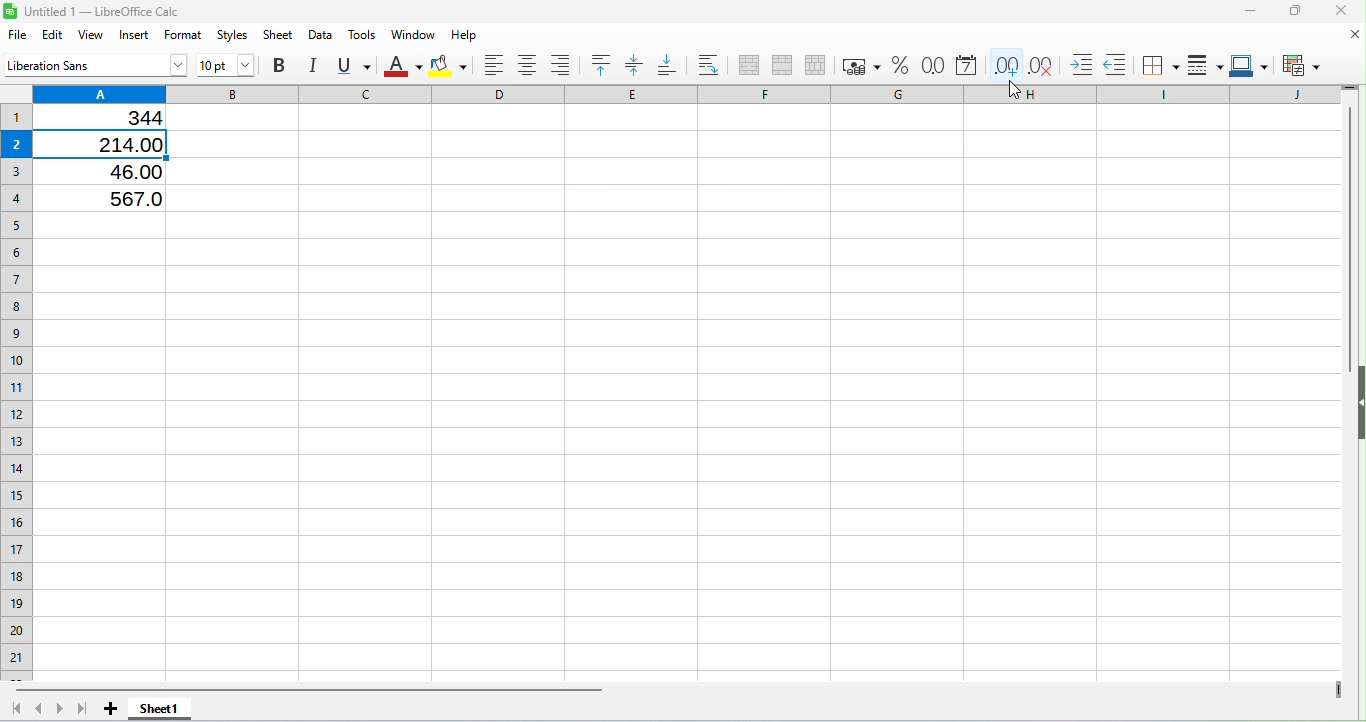 The width and height of the screenshot is (1366, 722). Describe the element at coordinates (899, 66) in the screenshot. I see `Format as percent` at that location.